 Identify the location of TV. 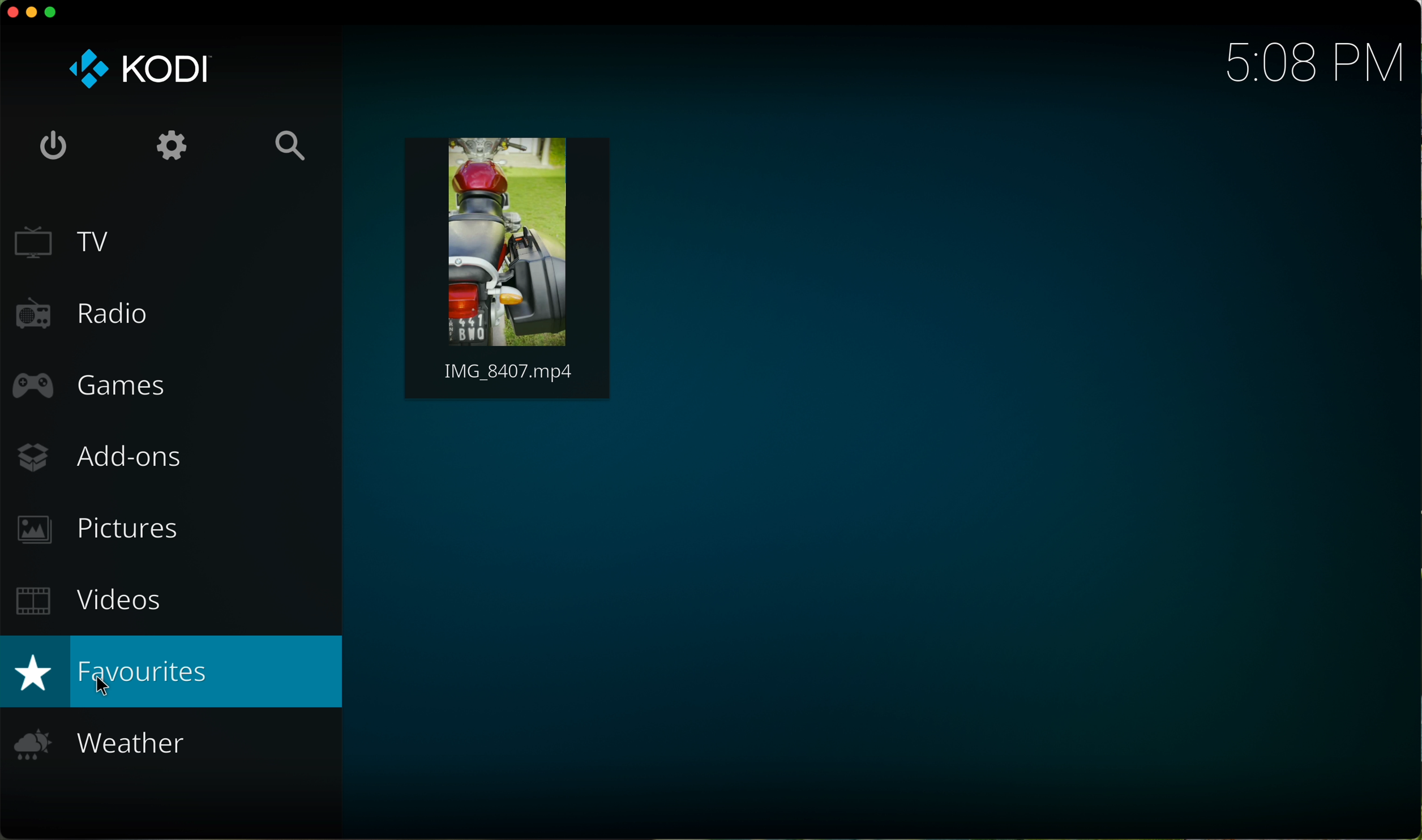
(173, 242).